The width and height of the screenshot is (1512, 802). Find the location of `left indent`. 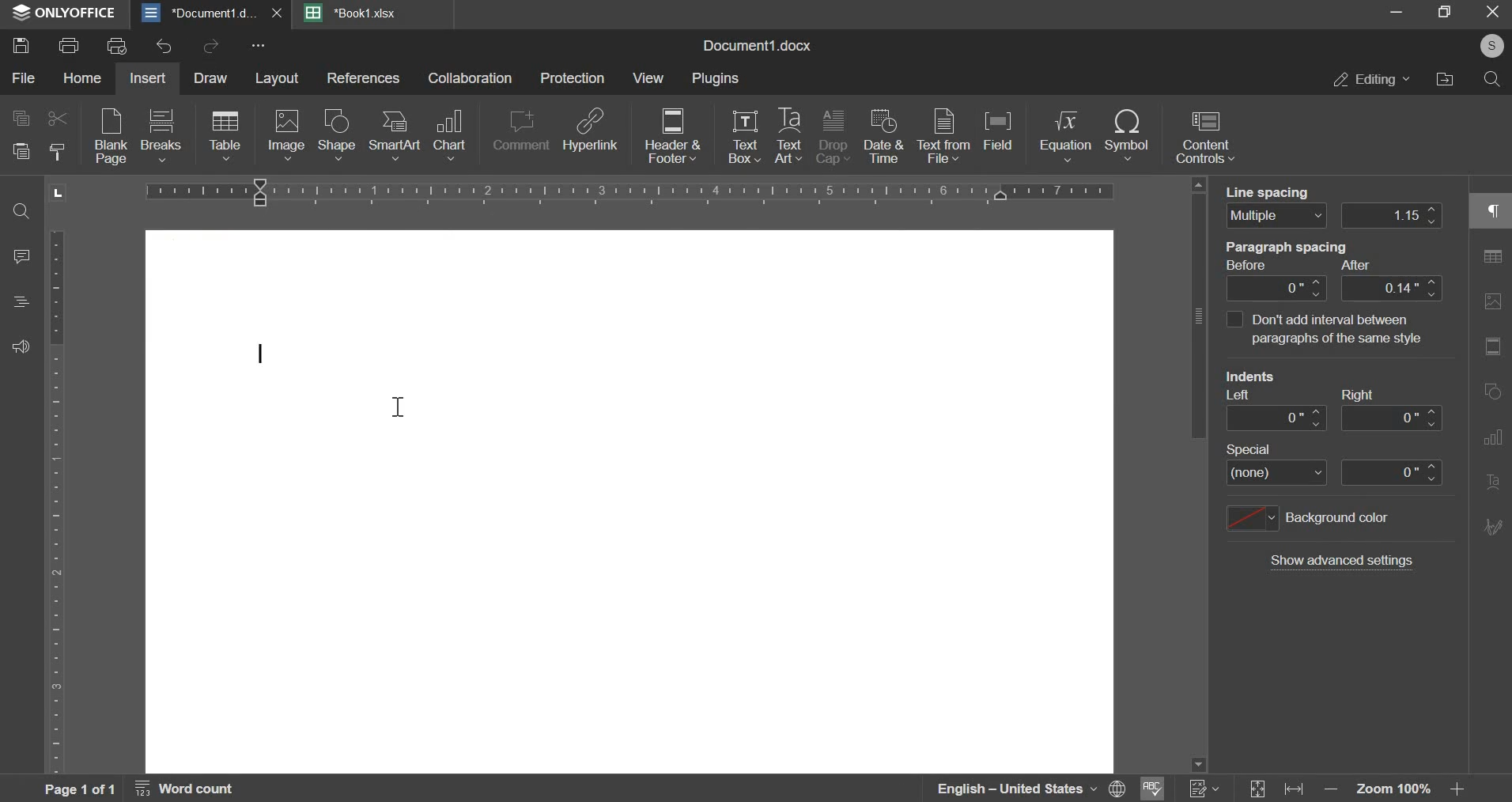

left indent is located at coordinates (1274, 418).